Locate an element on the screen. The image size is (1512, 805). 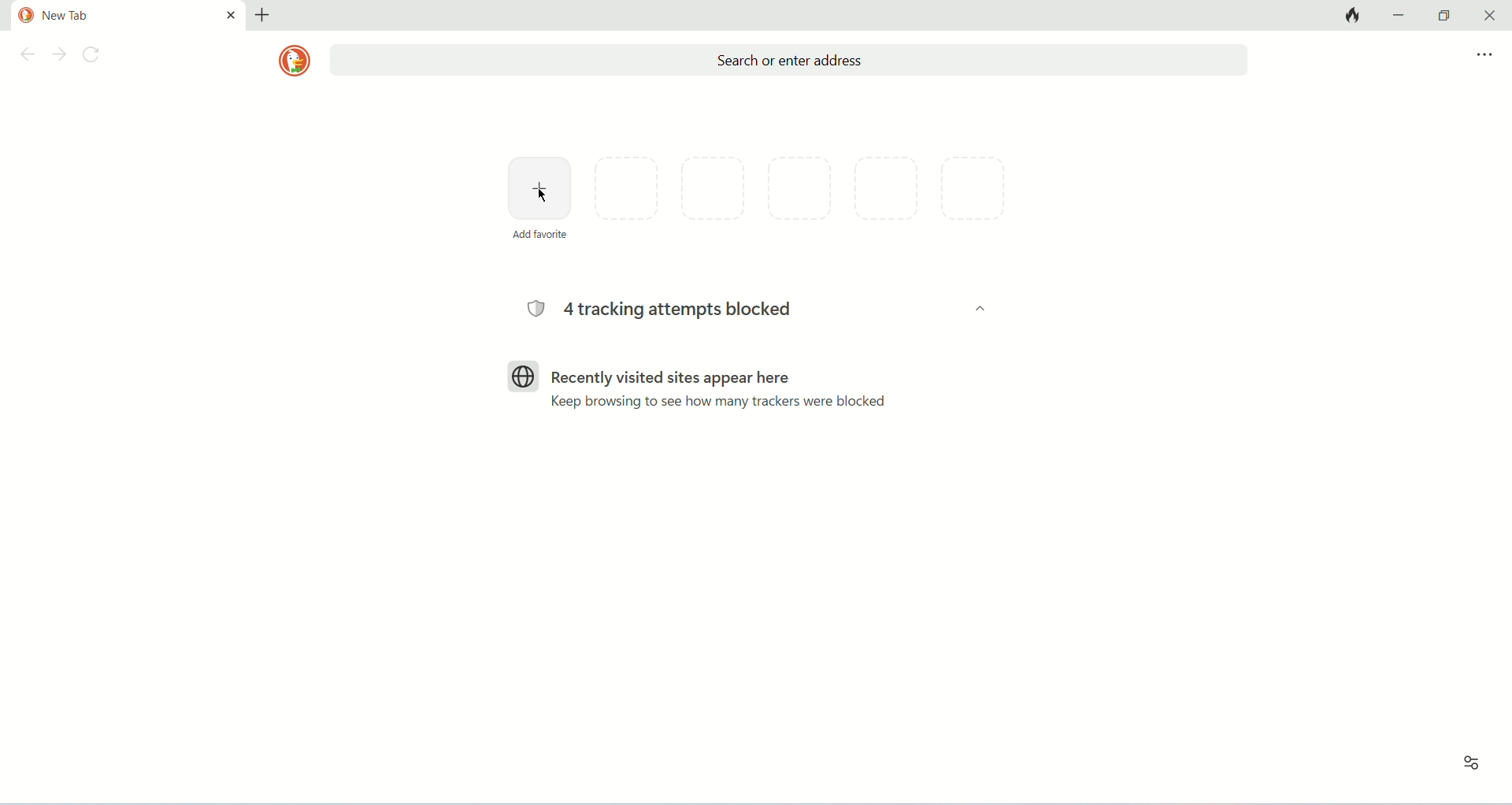
new tab is located at coordinates (262, 15).